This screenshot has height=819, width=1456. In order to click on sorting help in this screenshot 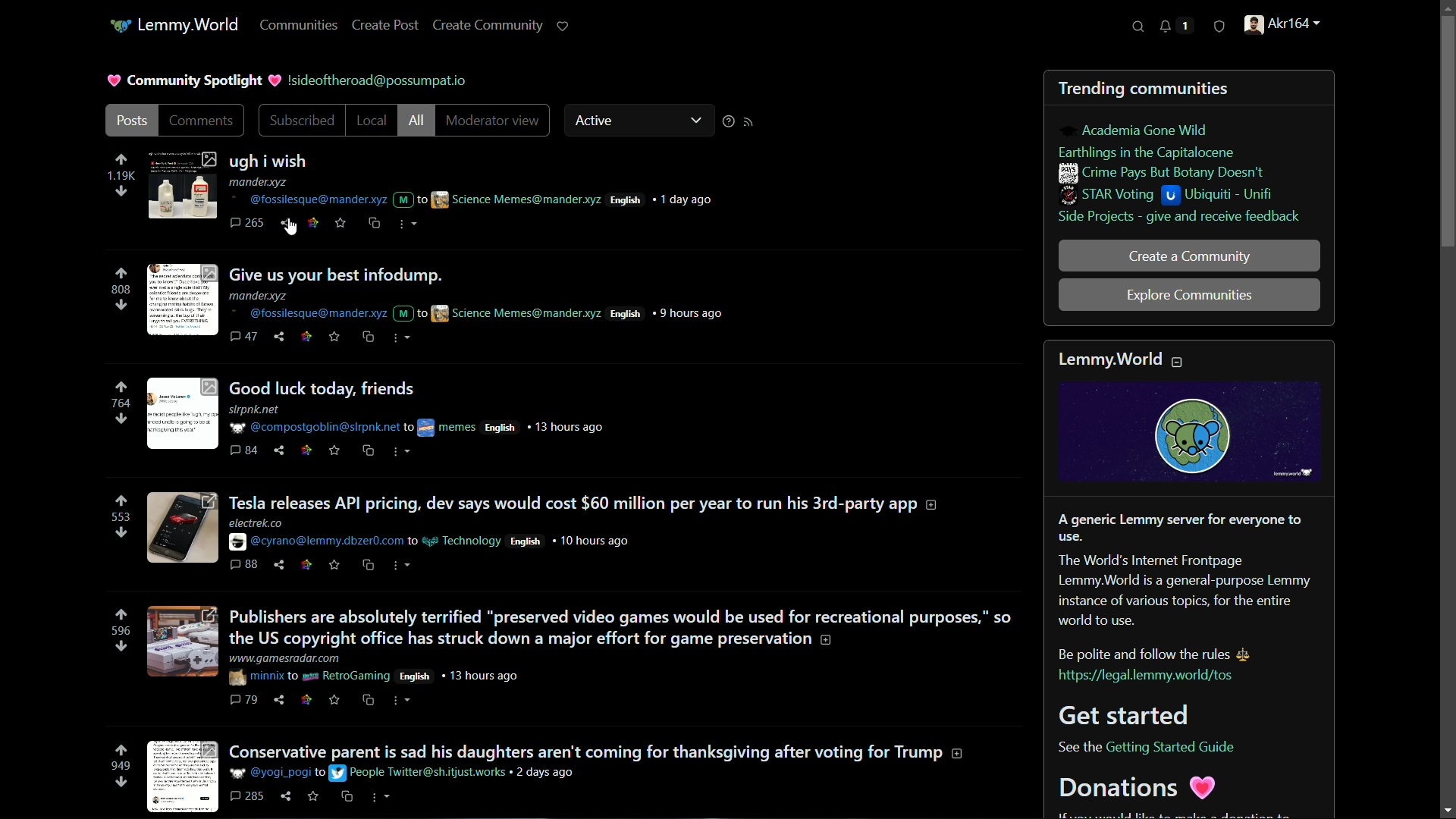, I will do `click(726, 123)`.